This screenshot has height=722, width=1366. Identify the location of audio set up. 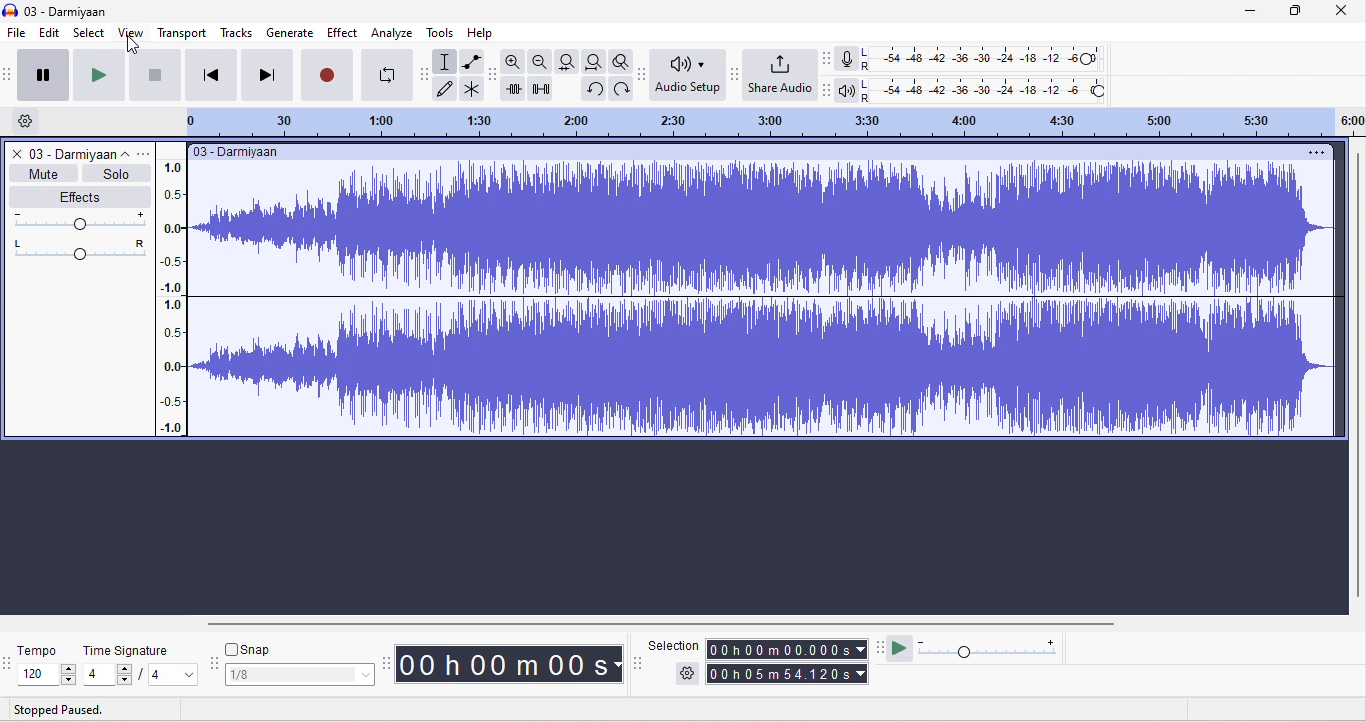
(688, 74).